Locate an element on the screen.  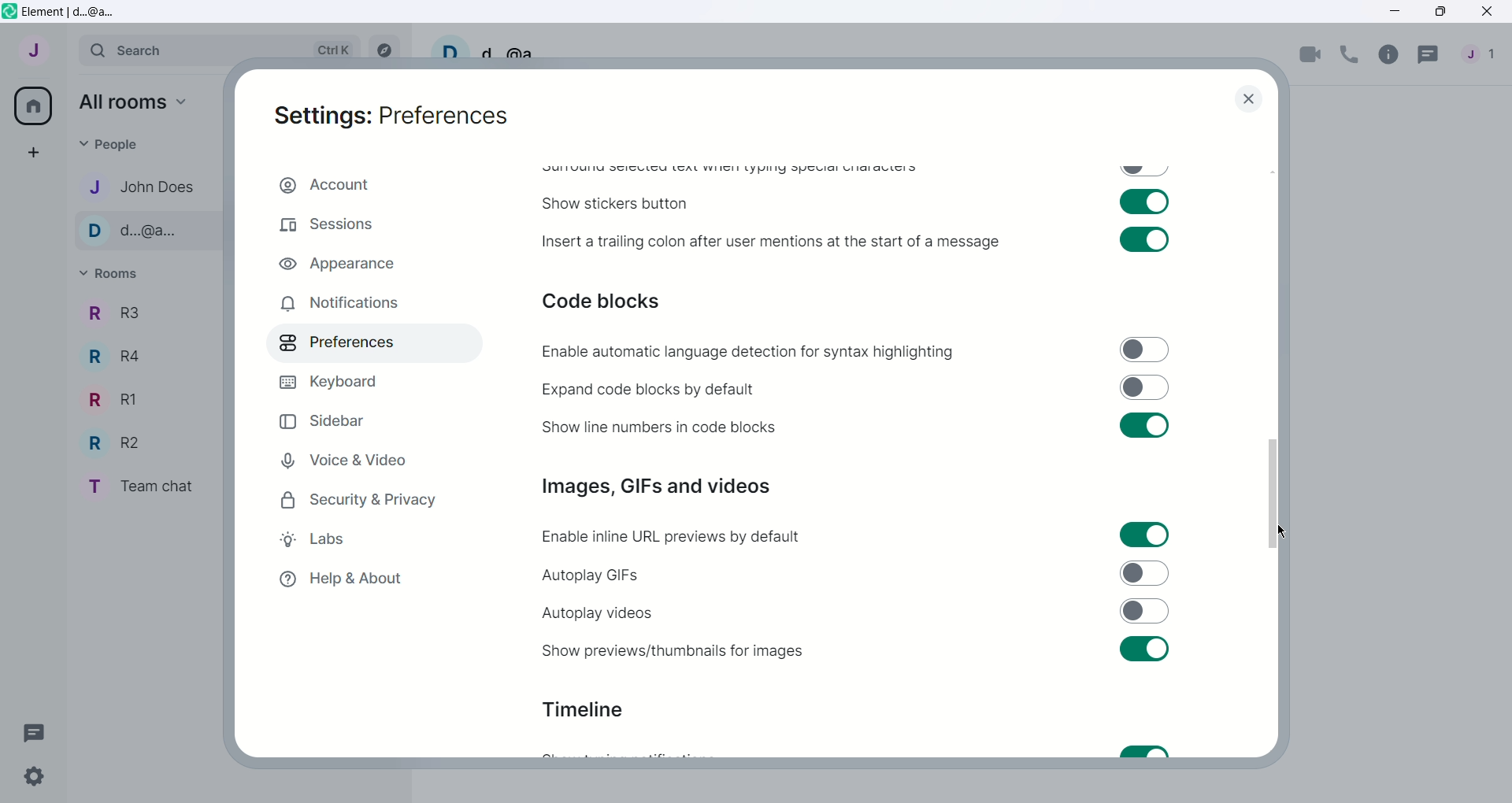
R3 - Room Name is located at coordinates (112, 314).